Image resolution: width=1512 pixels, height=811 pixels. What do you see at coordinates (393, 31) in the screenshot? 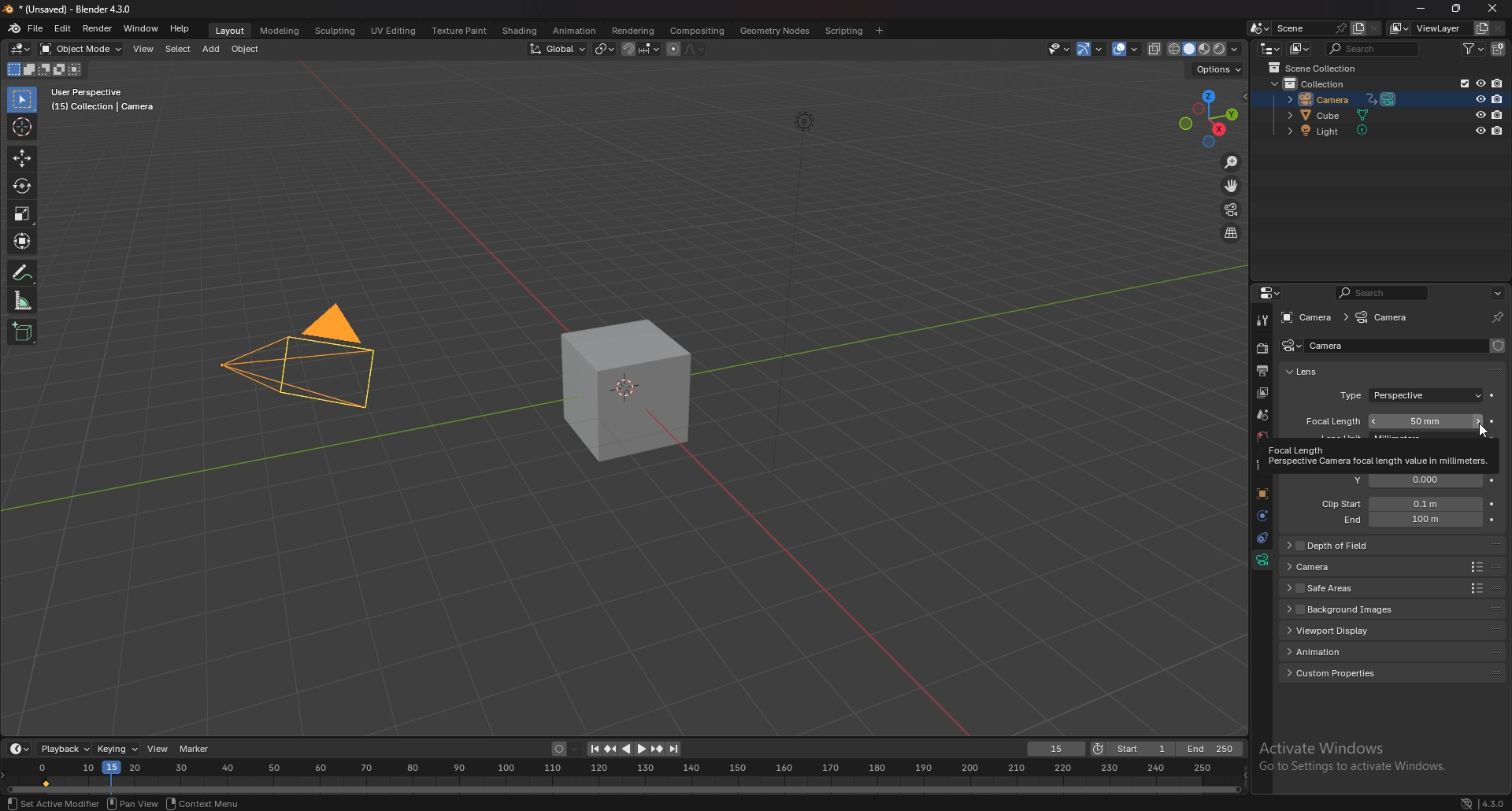
I see `uv editing` at bounding box center [393, 31].